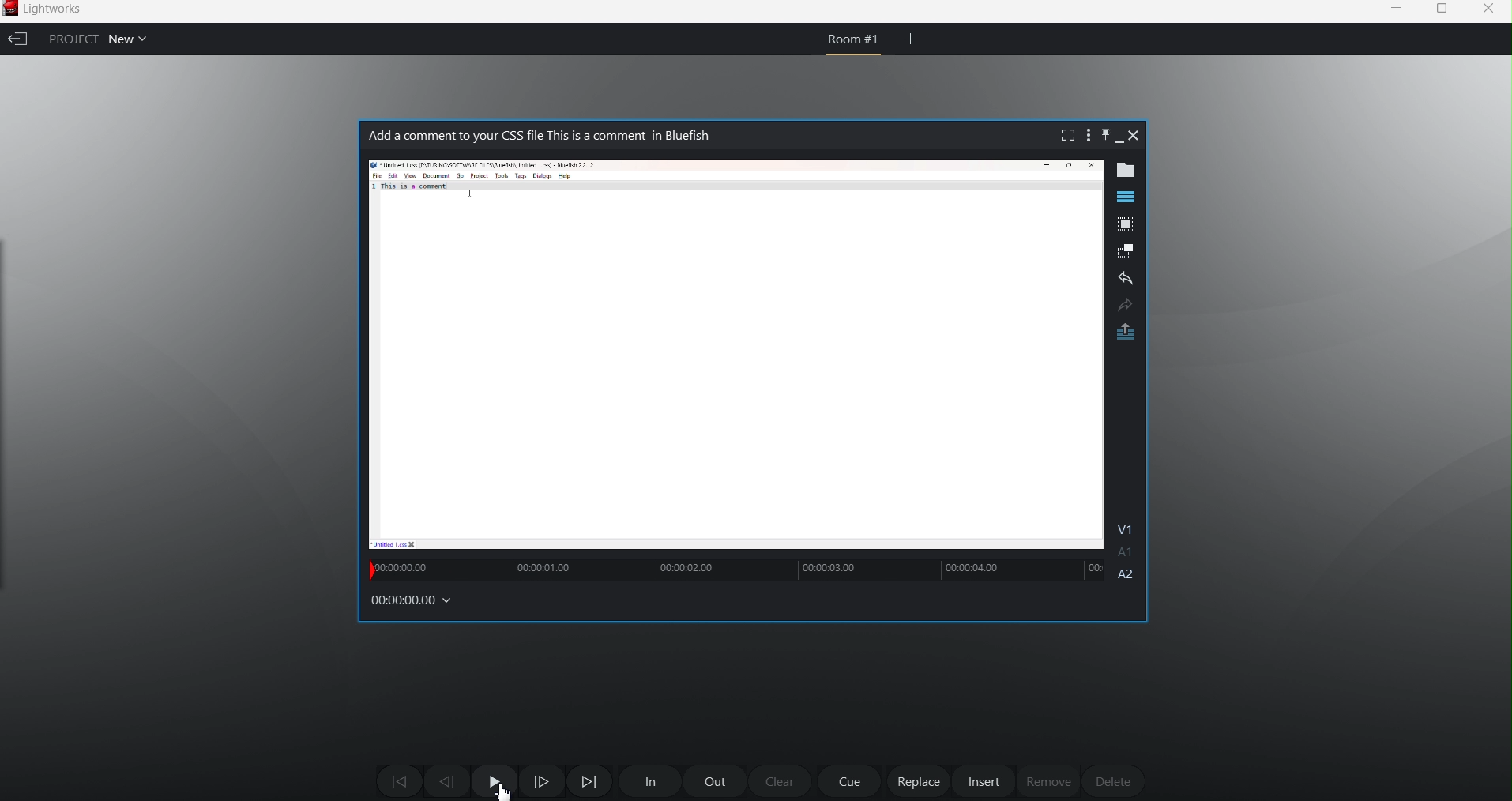 Image resolution: width=1512 pixels, height=801 pixels. Describe the element at coordinates (1442, 9) in the screenshot. I see `maximize` at that location.